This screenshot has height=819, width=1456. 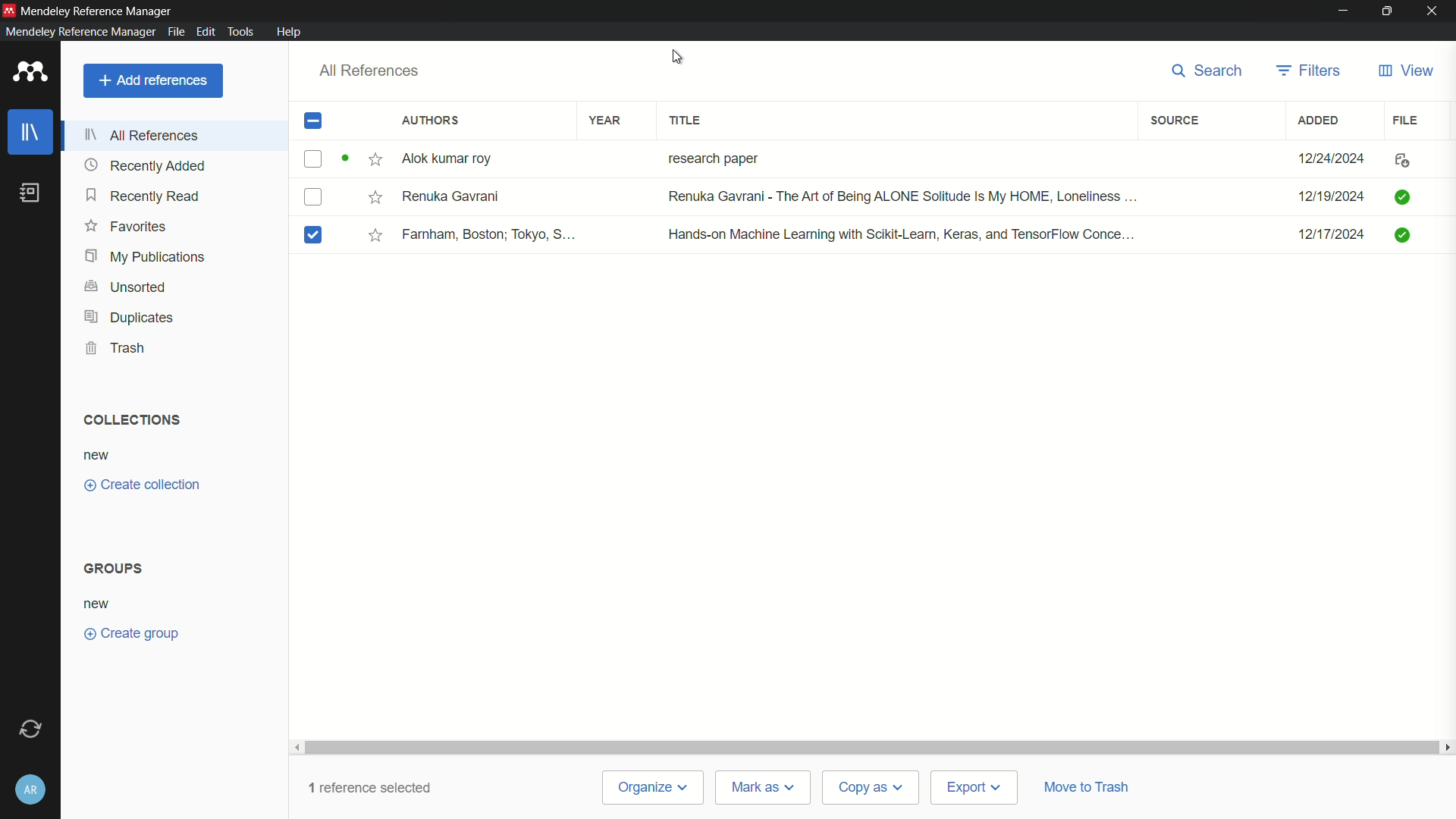 I want to click on source, so click(x=1177, y=121).